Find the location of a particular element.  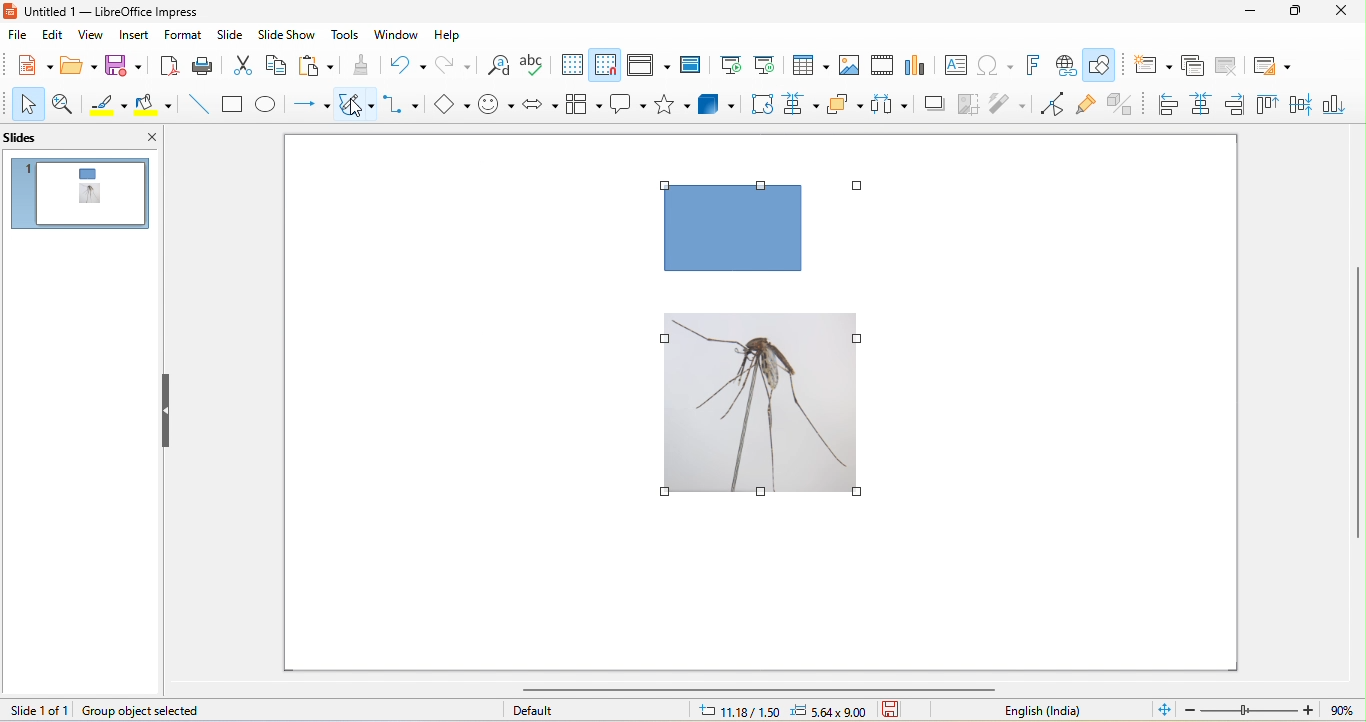

maximize is located at coordinates (1294, 12).